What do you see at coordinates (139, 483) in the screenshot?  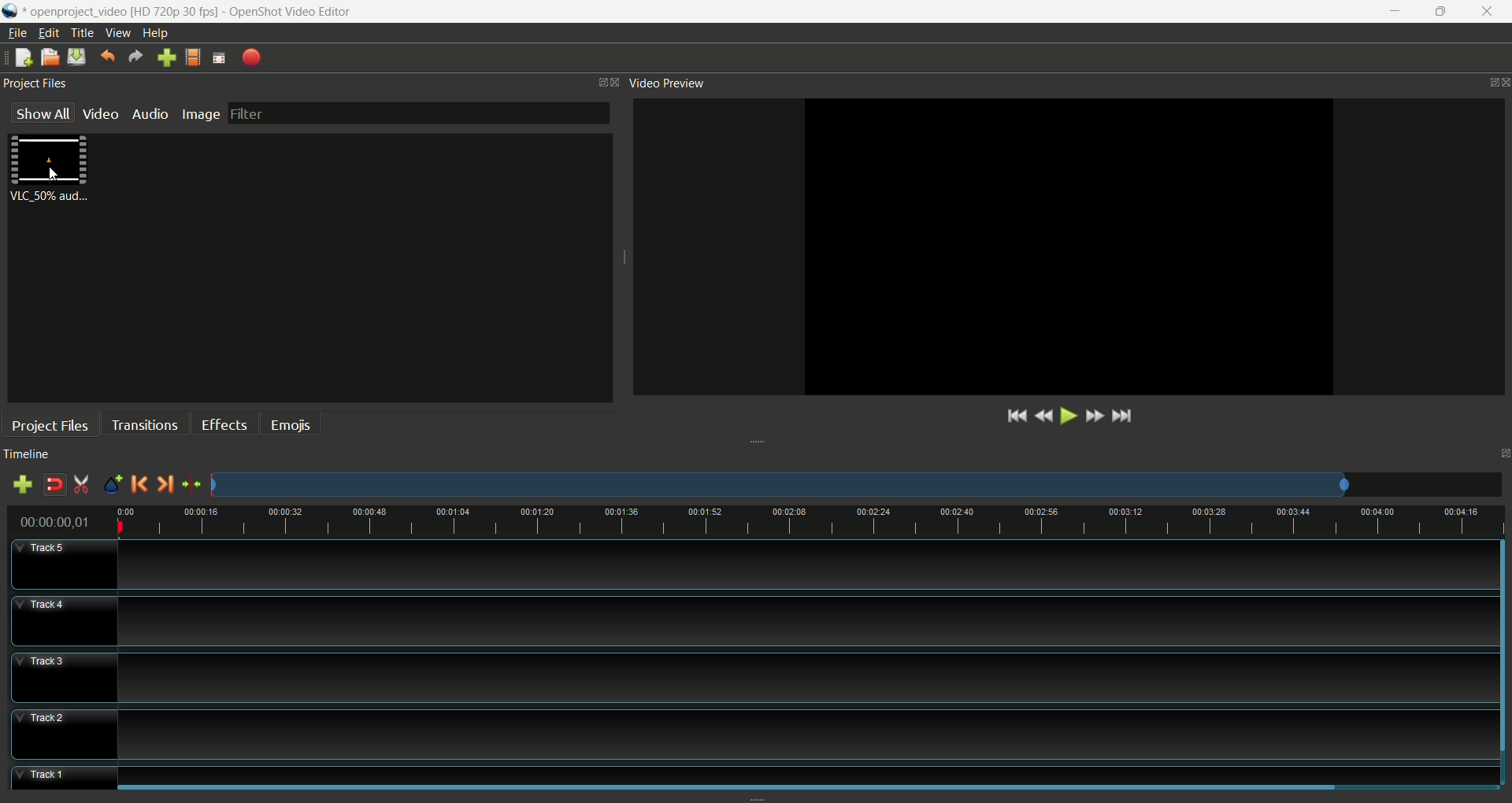 I see `previous marker` at bounding box center [139, 483].